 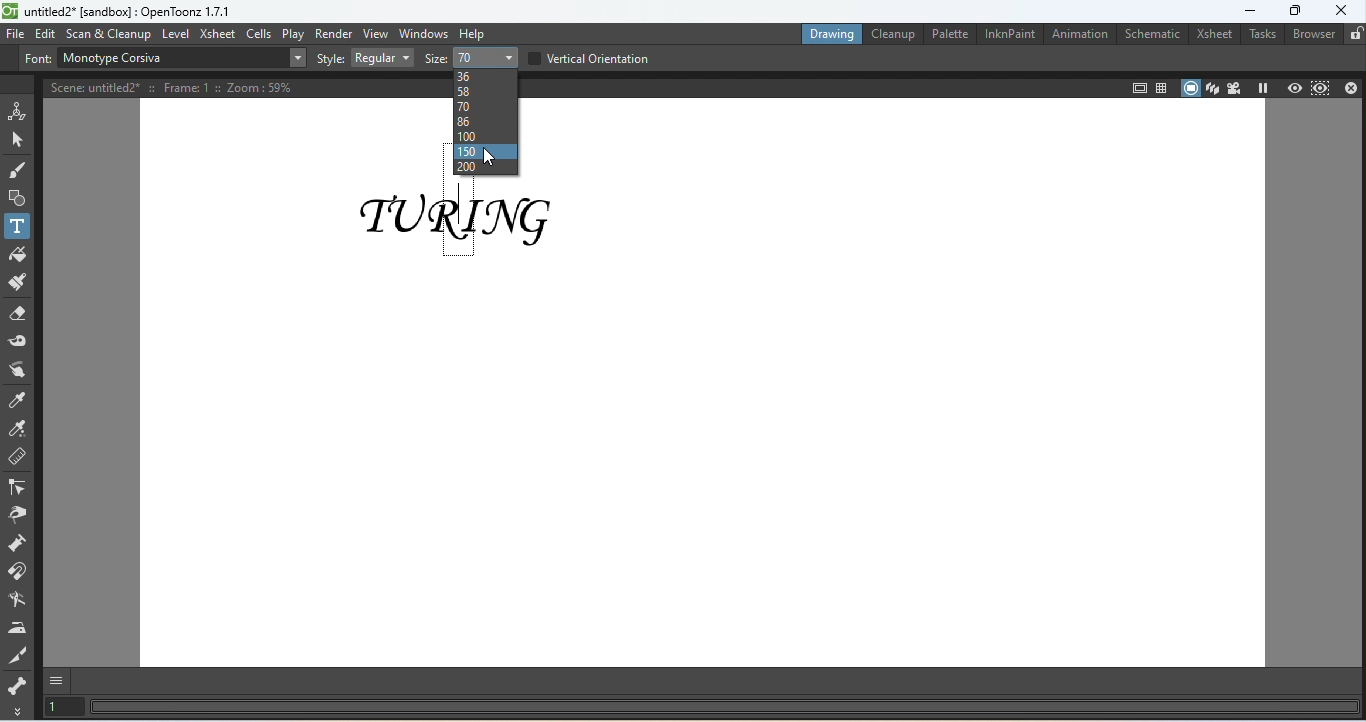 I want to click on 150, so click(x=485, y=151).